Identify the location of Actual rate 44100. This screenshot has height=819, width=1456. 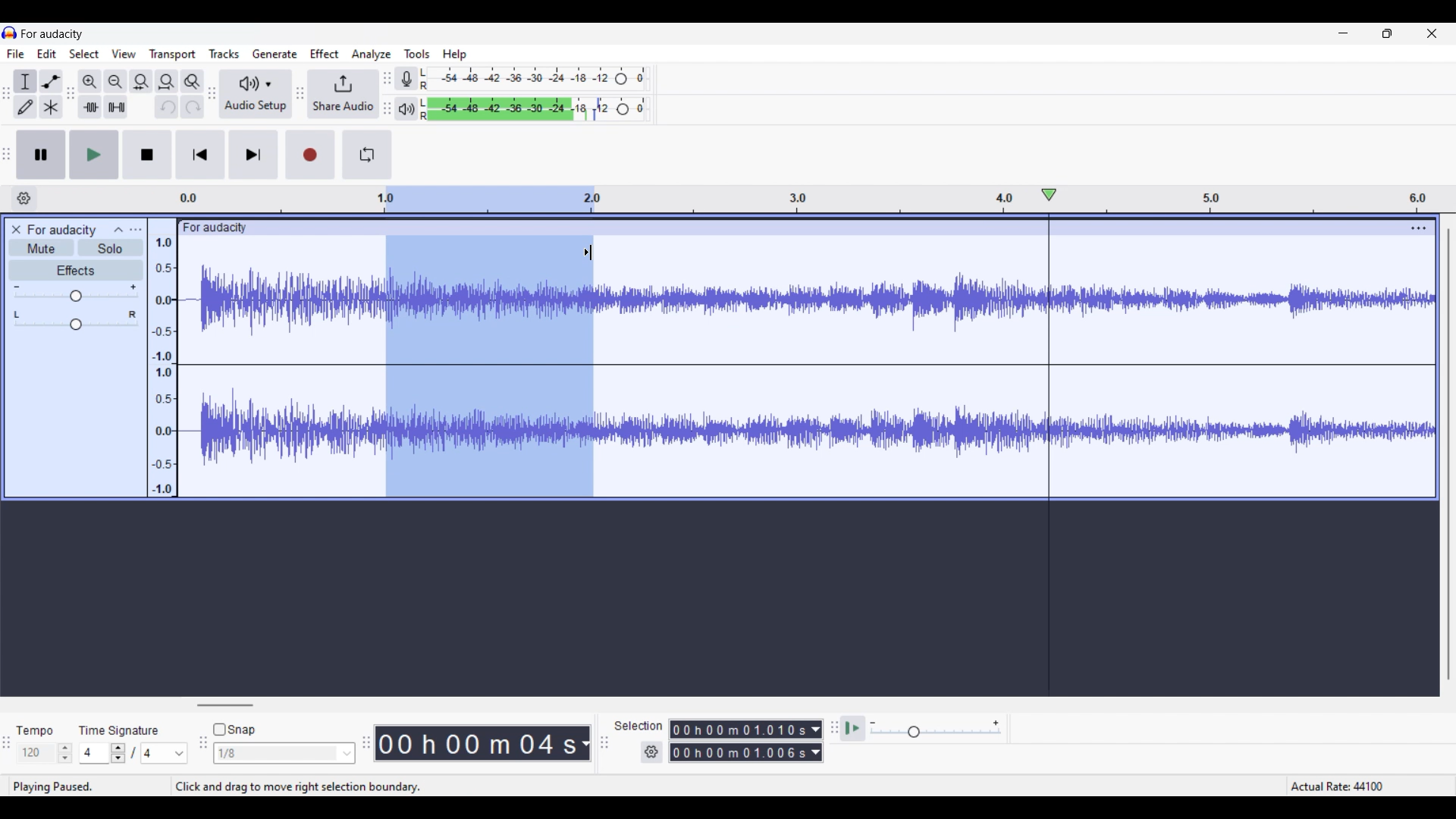
(1352, 780).